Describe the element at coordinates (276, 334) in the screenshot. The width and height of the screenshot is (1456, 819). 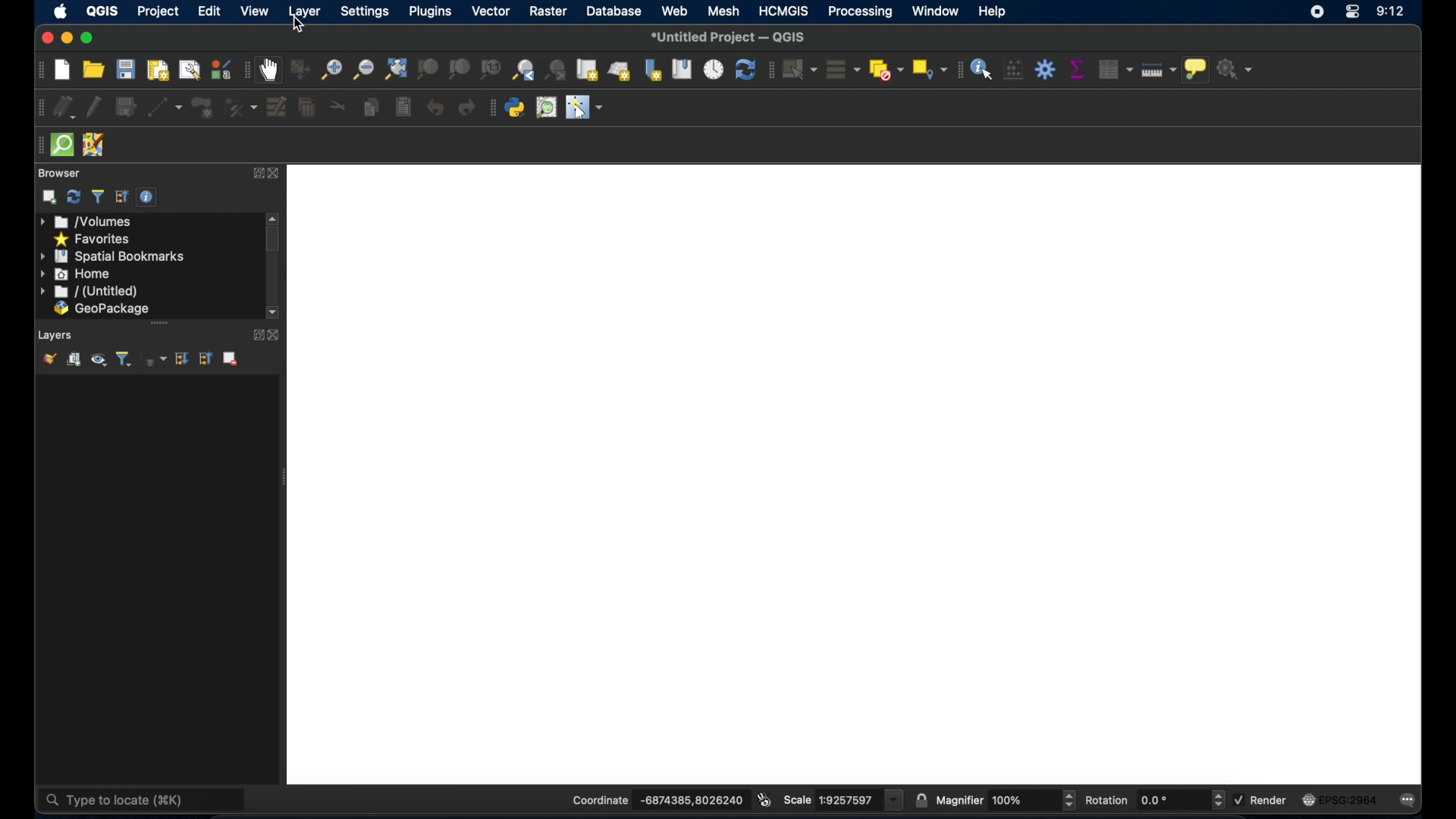
I see `close` at that location.